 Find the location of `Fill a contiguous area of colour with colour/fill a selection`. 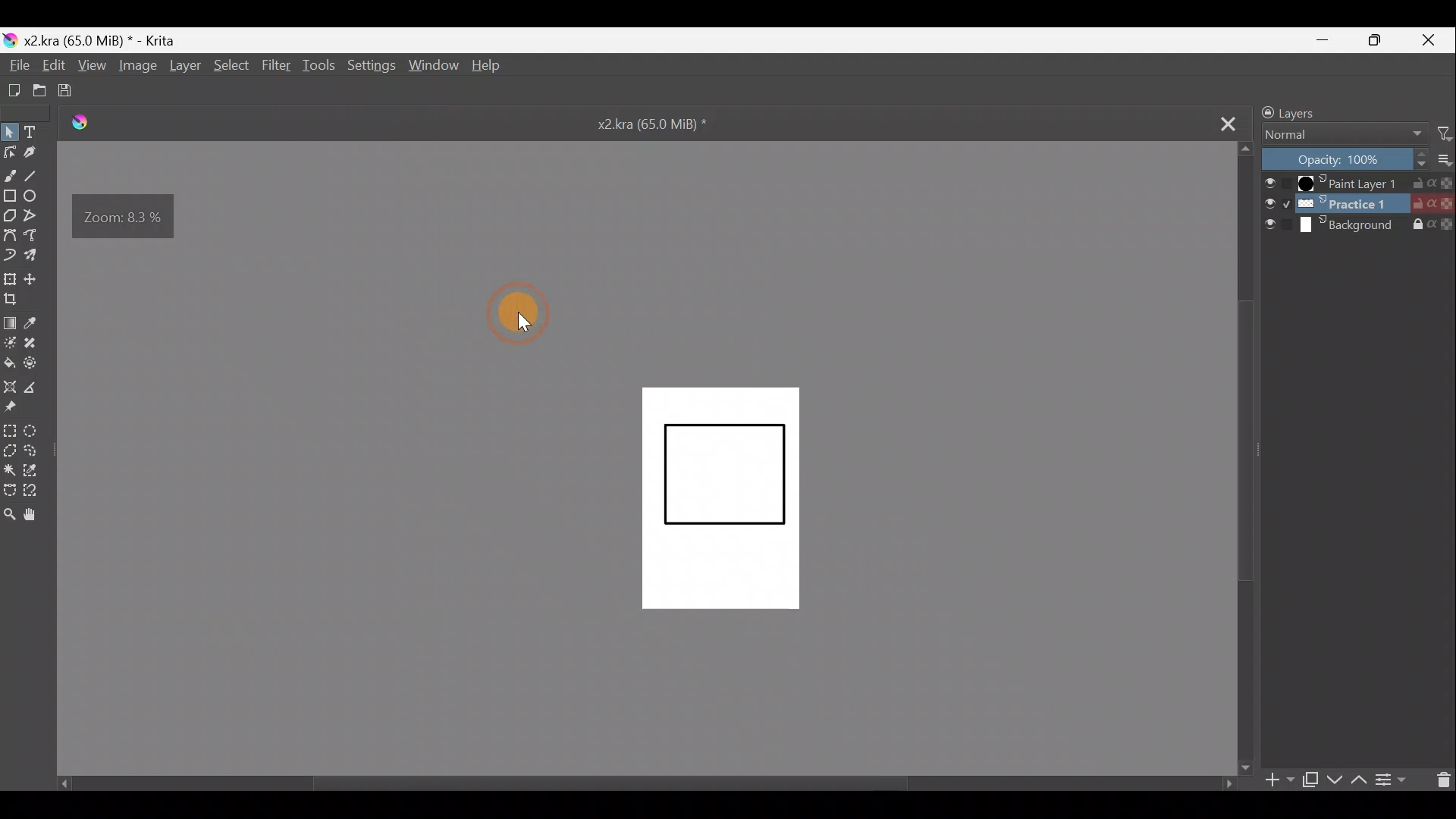

Fill a contiguous area of colour with colour/fill a selection is located at coordinates (9, 362).